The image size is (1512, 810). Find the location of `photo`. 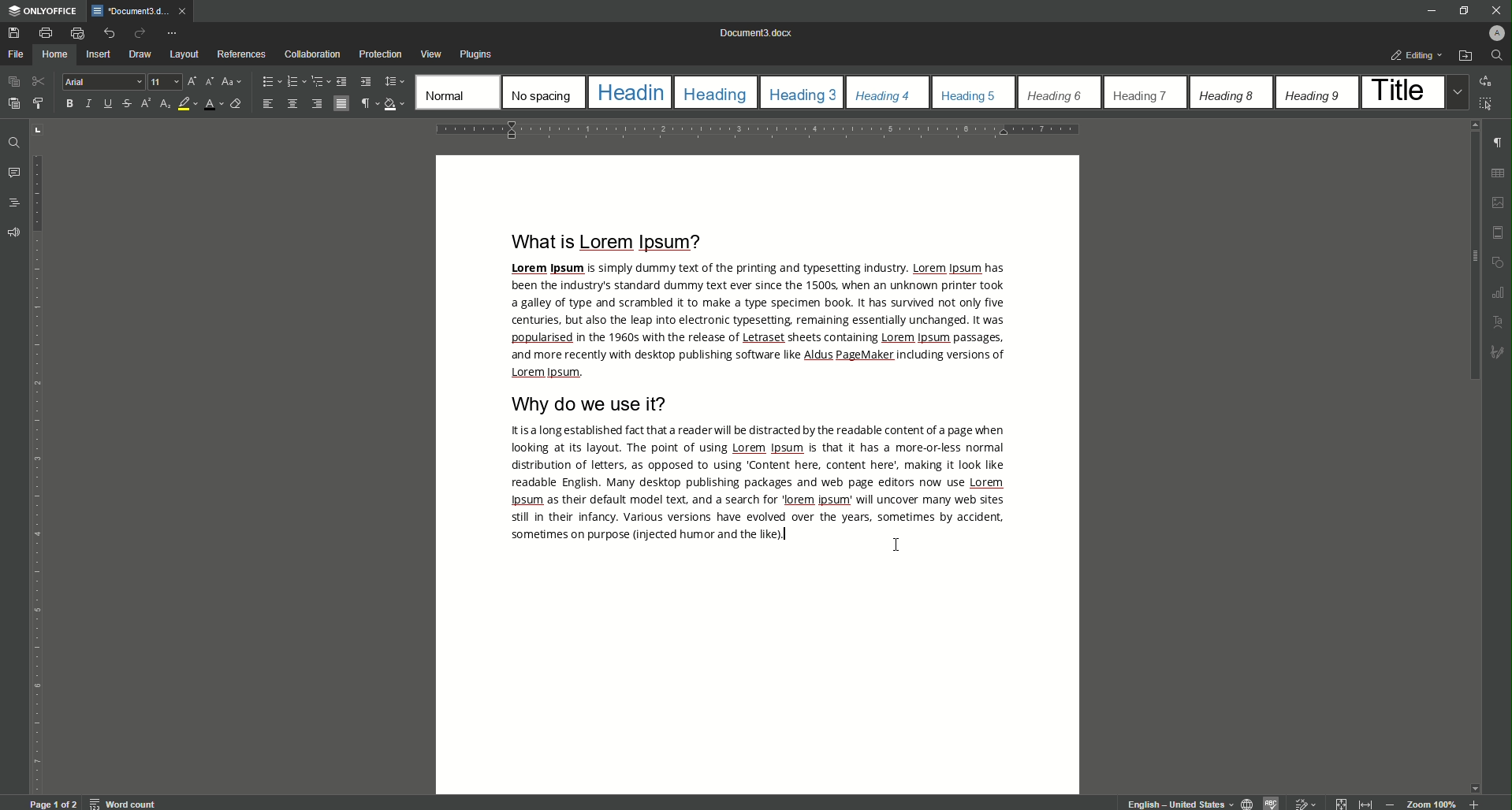

photo is located at coordinates (1499, 198).